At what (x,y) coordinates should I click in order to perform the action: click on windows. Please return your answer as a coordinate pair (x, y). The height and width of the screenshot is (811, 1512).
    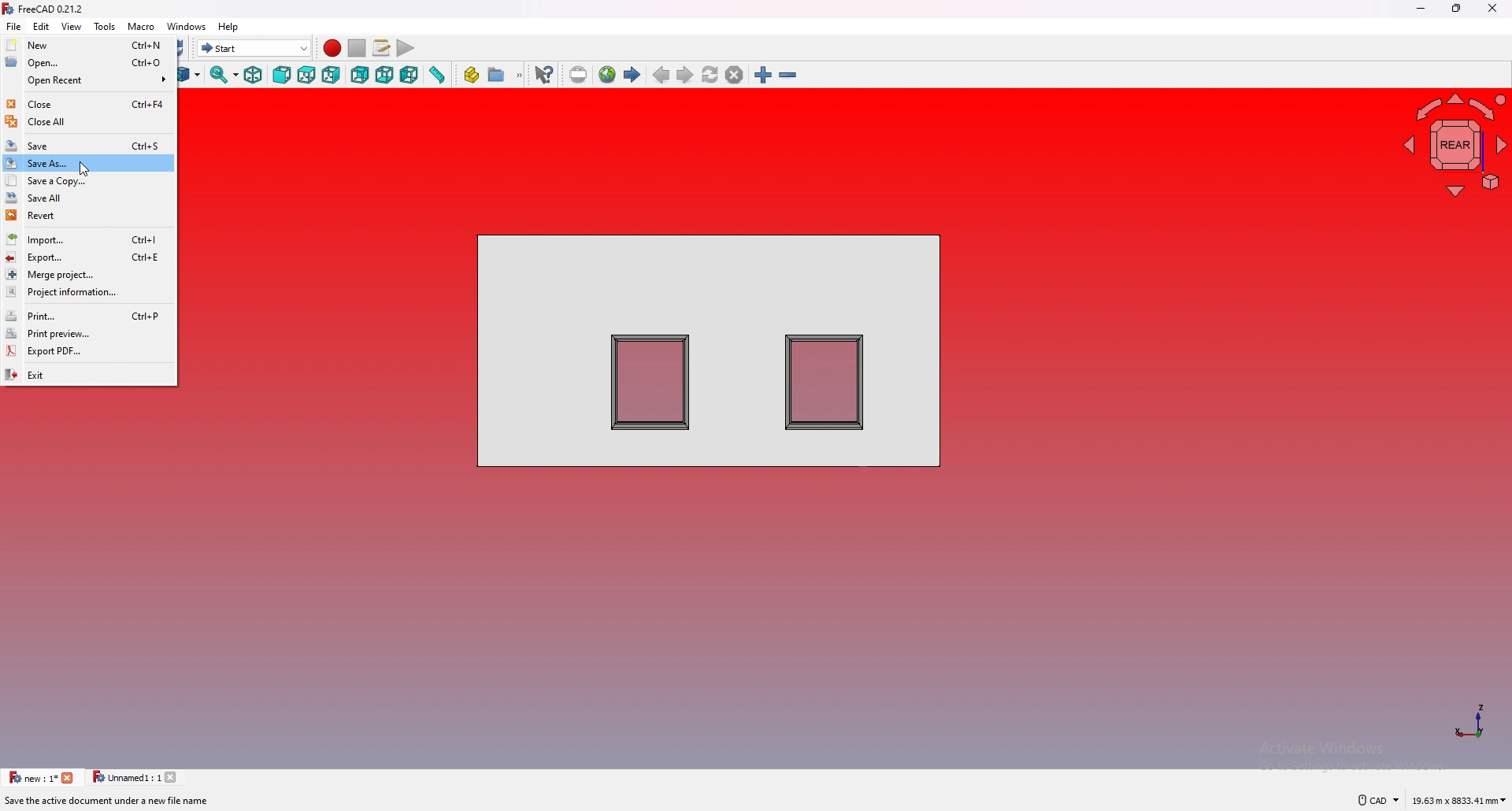
    Looking at the image, I should click on (187, 27).